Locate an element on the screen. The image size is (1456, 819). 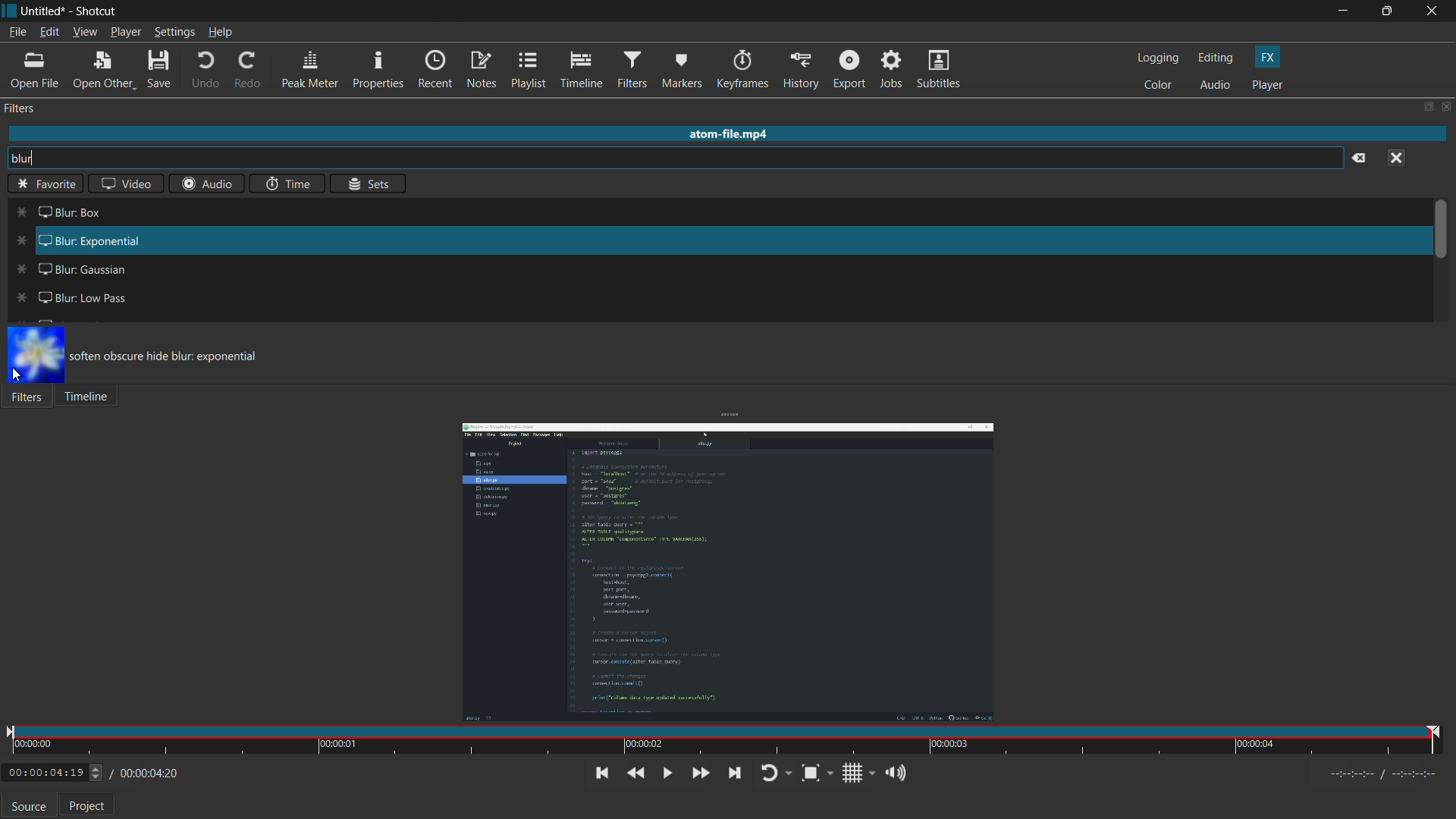
help menu is located at coordinates (222, 33).